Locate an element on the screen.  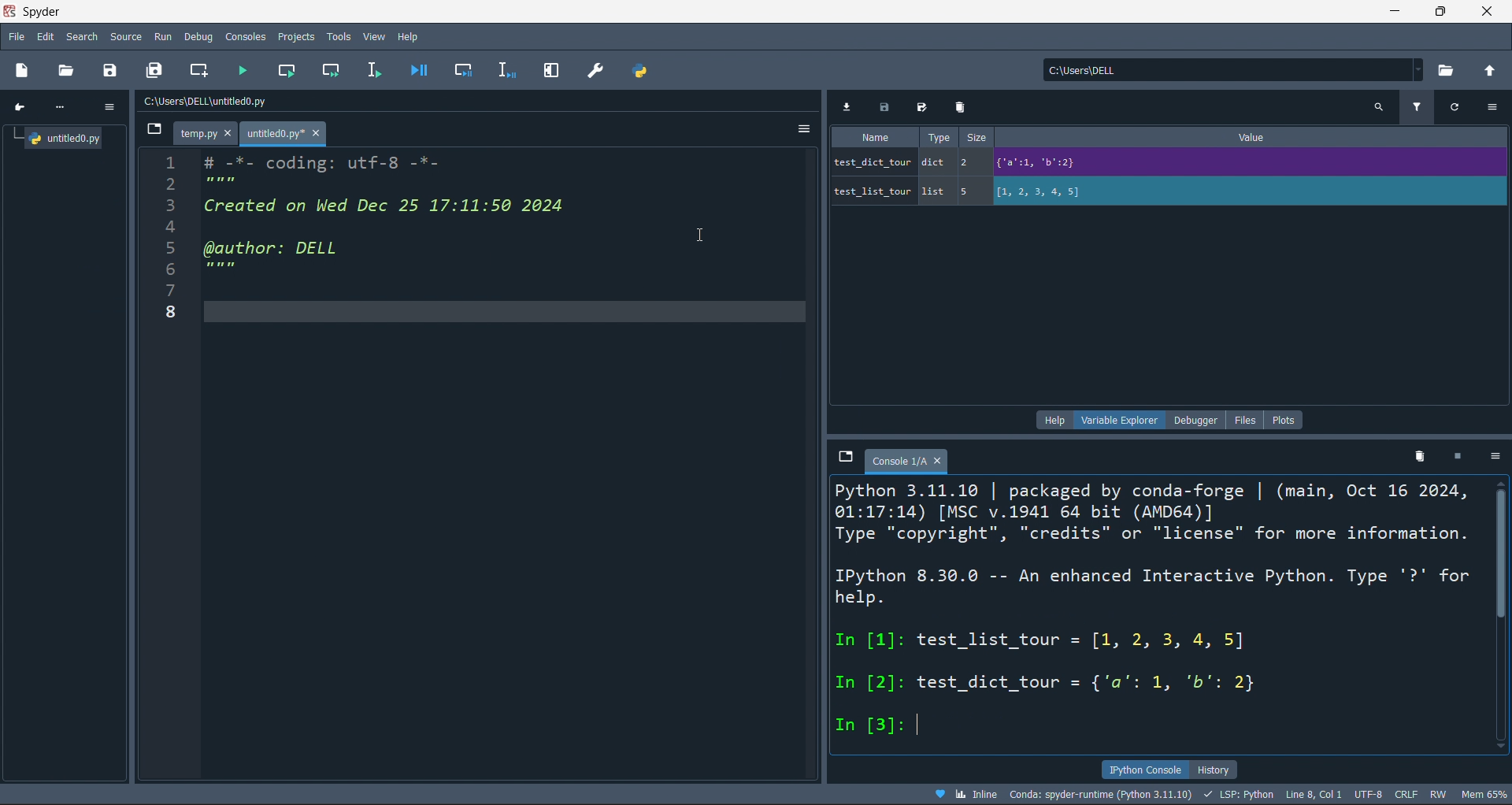
preference is located at coordinates (594, 72).